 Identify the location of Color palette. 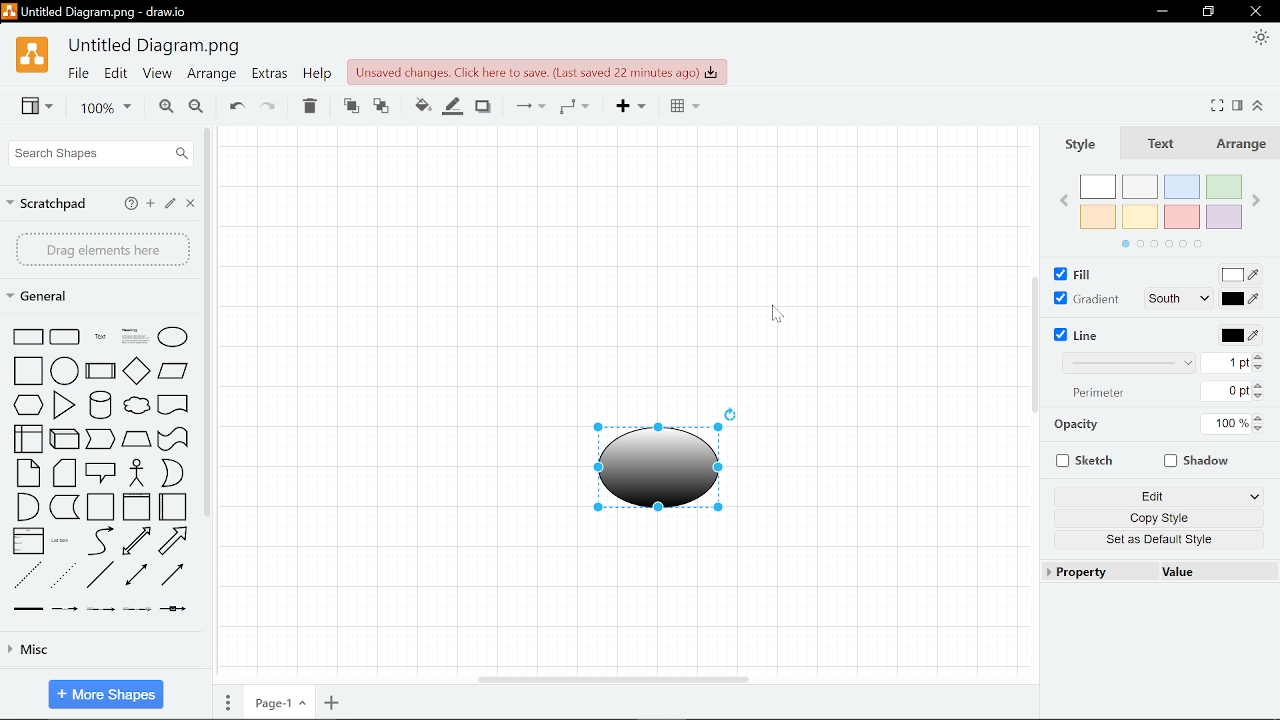
(1161, 204).